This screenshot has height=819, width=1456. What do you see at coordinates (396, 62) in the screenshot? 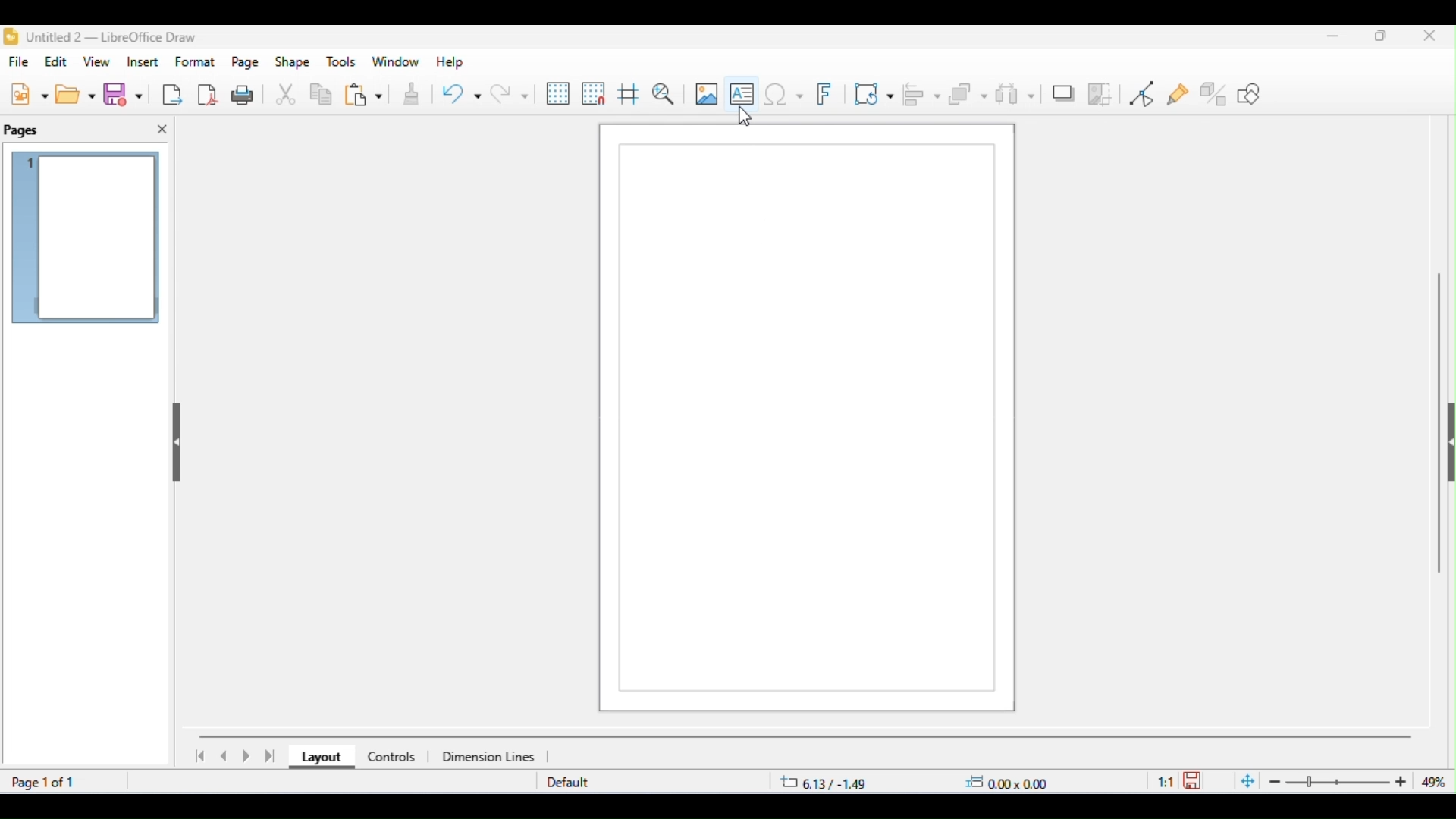
I see `window` at bounding box center [396, 62].